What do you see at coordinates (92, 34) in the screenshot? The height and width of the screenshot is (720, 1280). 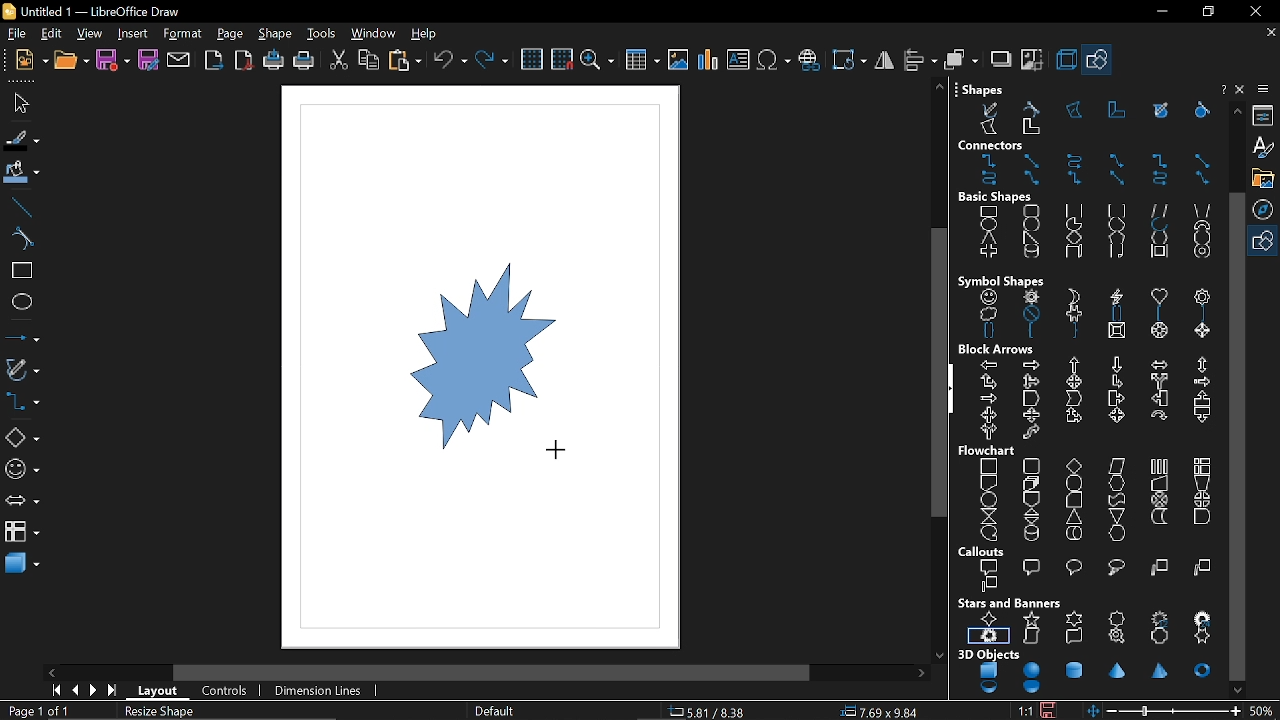 I see `view` at bounding box center [92, 34].